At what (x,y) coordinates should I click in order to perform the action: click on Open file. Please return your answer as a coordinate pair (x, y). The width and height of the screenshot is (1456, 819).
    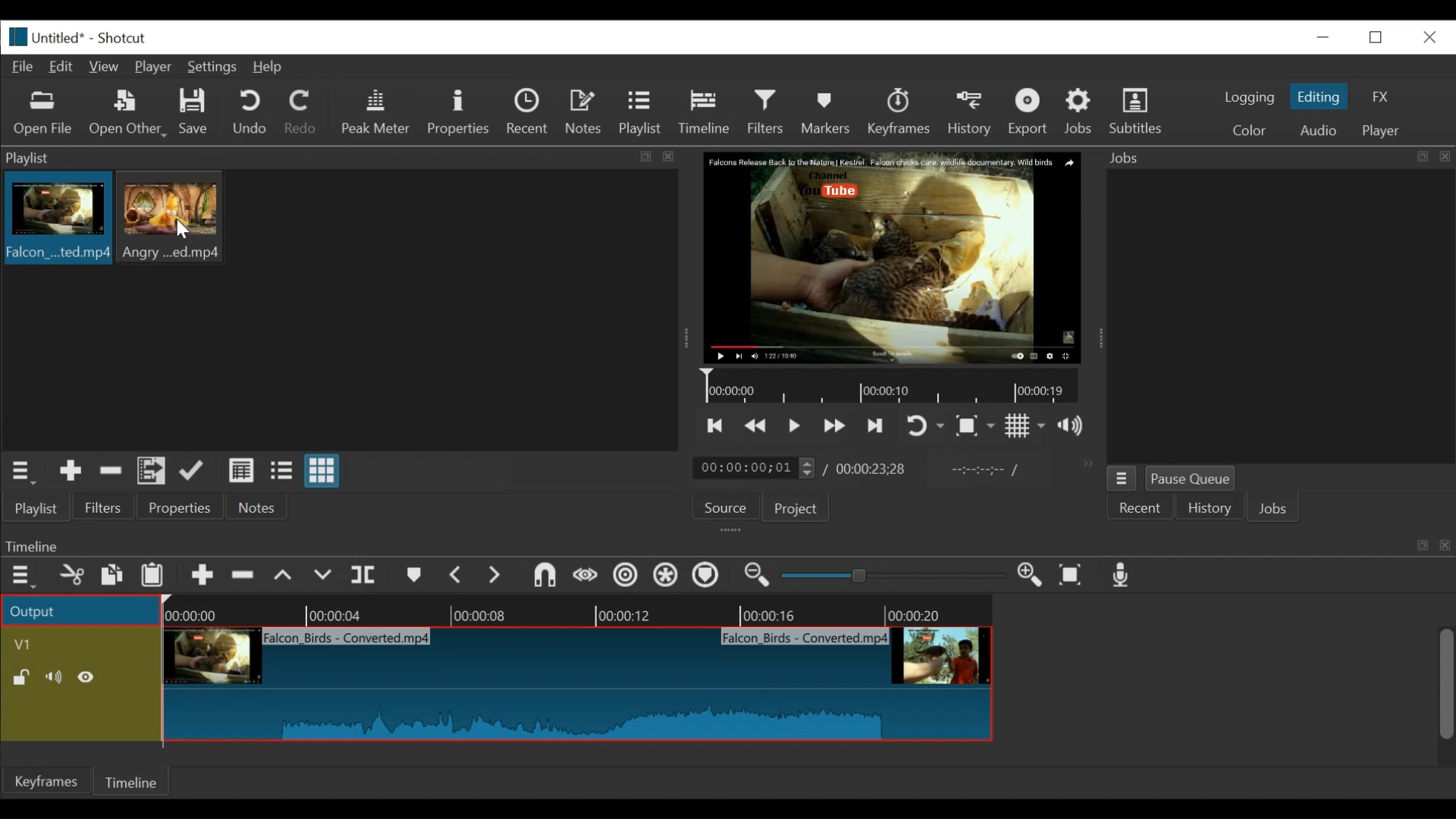
    Looking at the image, I should click on (43, 114).